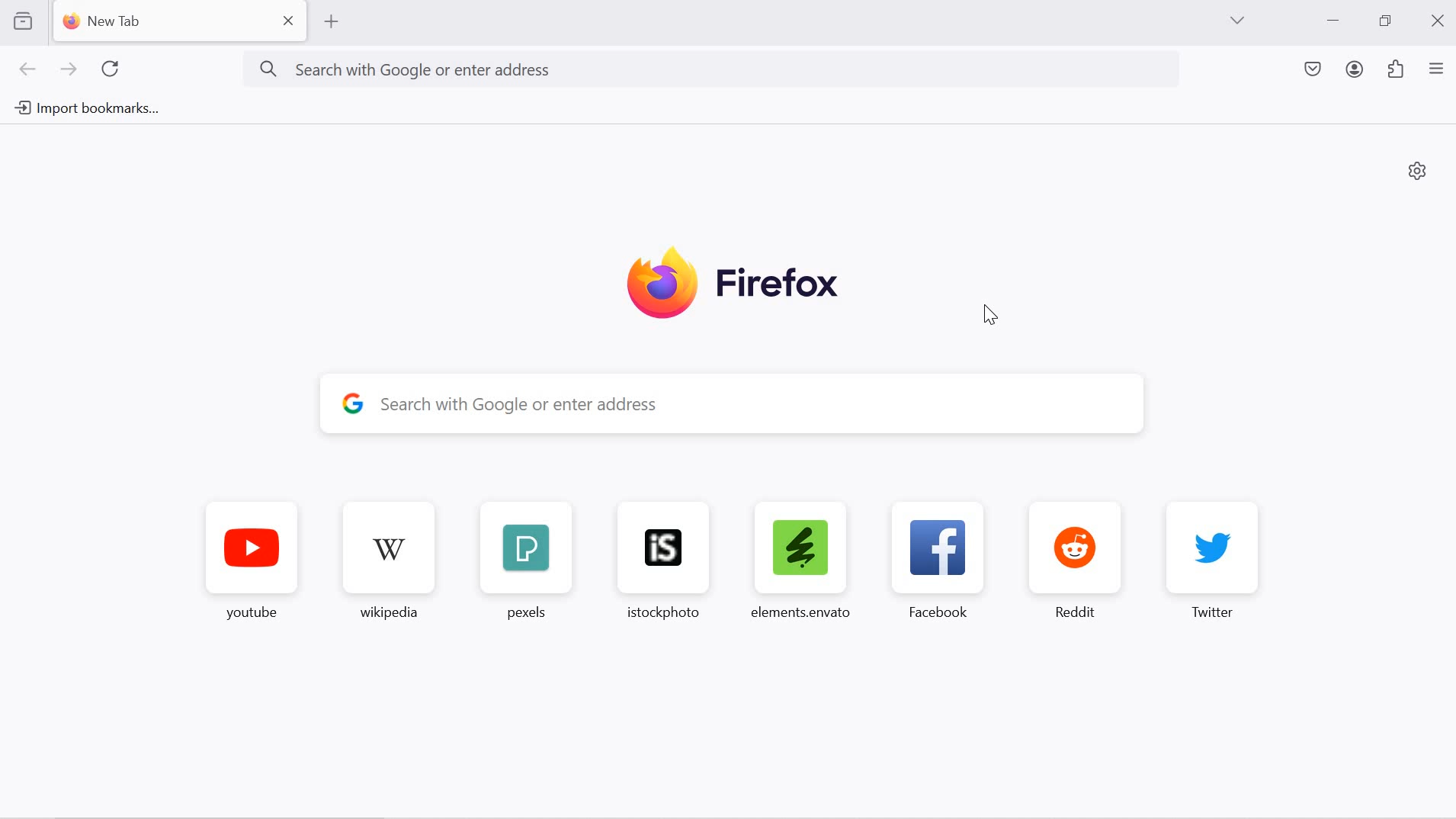 The image size is (1456, 819). Describe the element at coordinates (670, 569) in the screenshot. I see `istockphoto` at that location.